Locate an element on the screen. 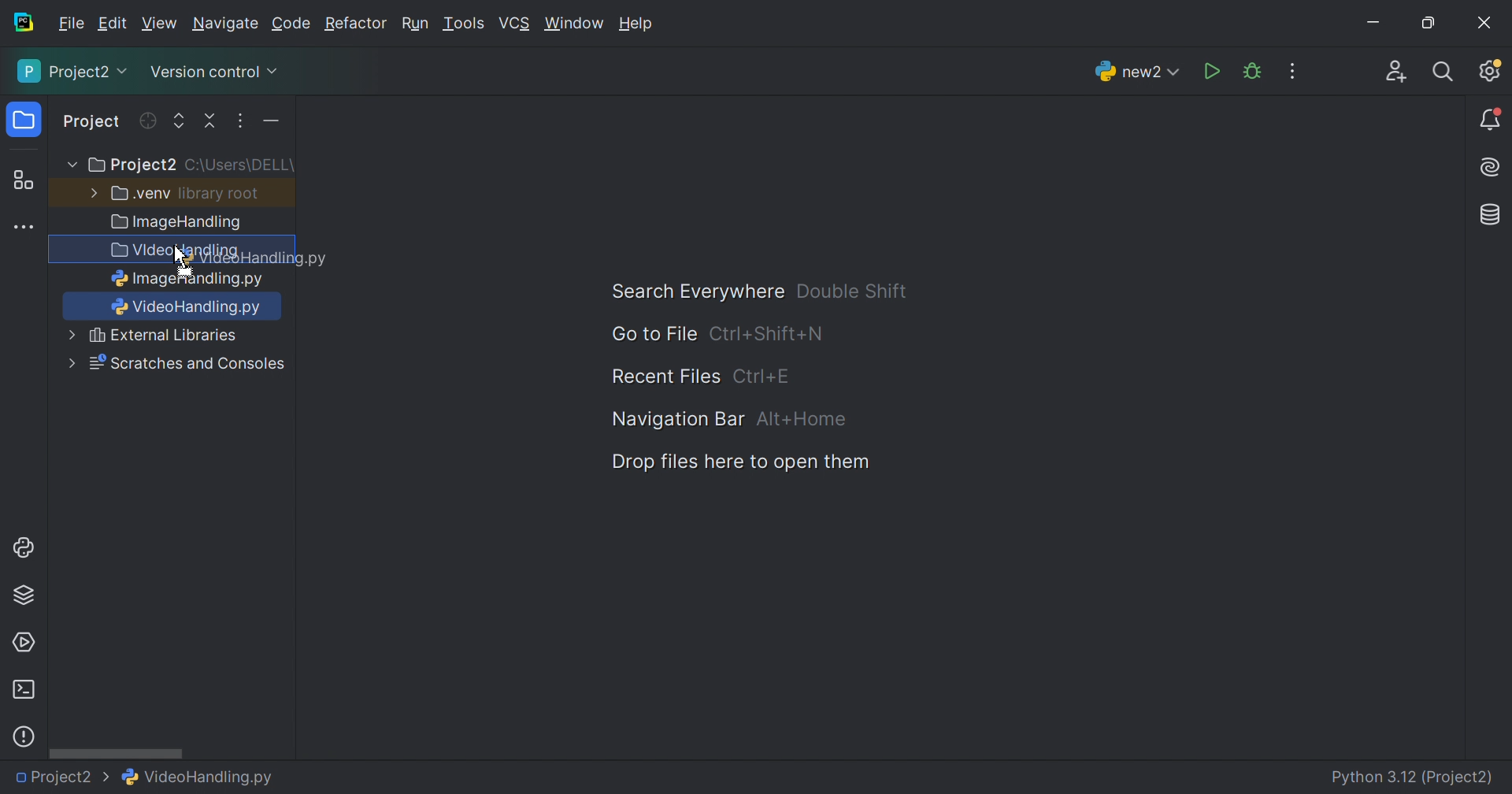 This screenshot has width=1512, height=794. Run is located at coordinates (415, 25).